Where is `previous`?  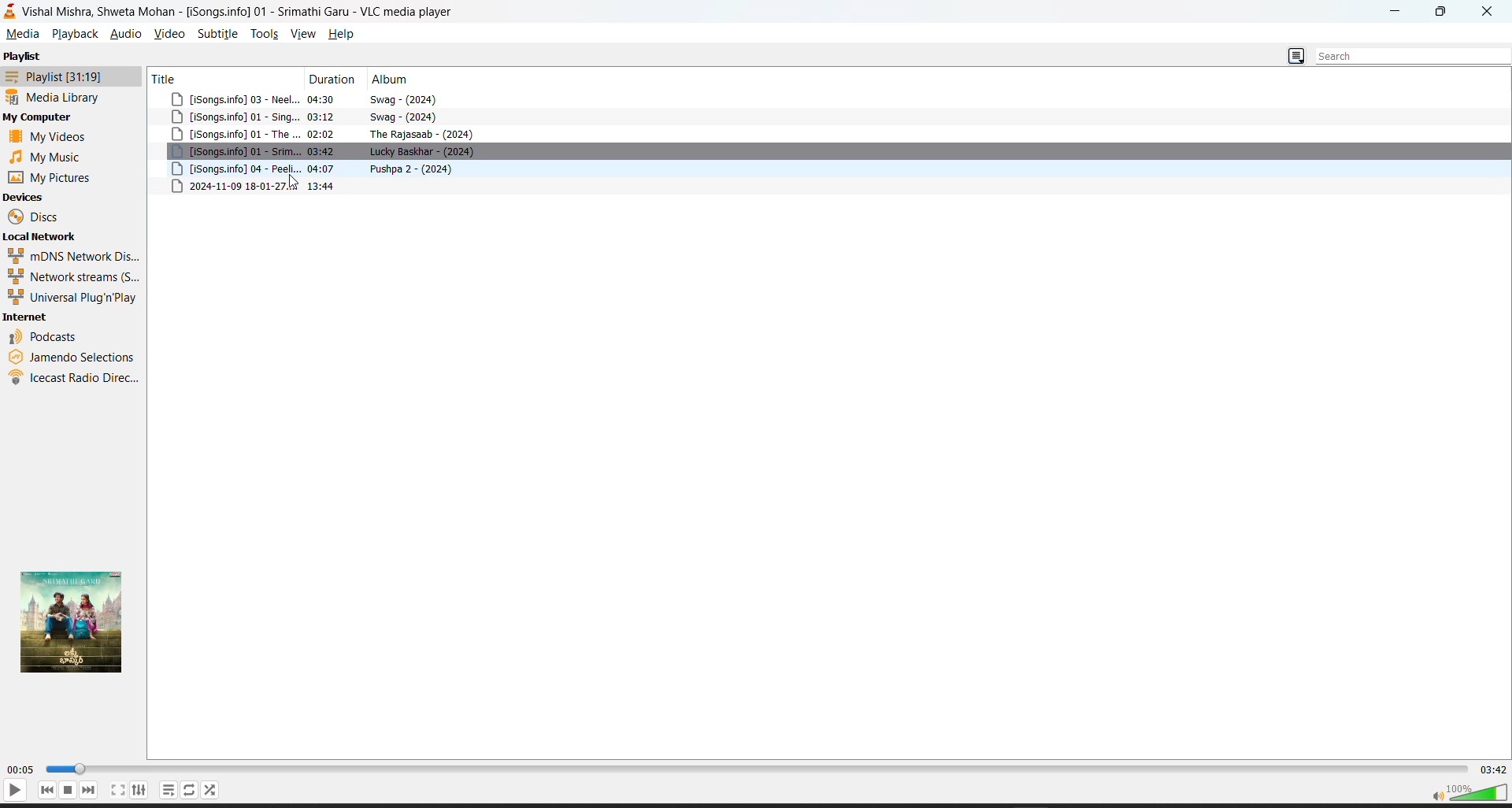
previous is located at coordinates (47, 791).